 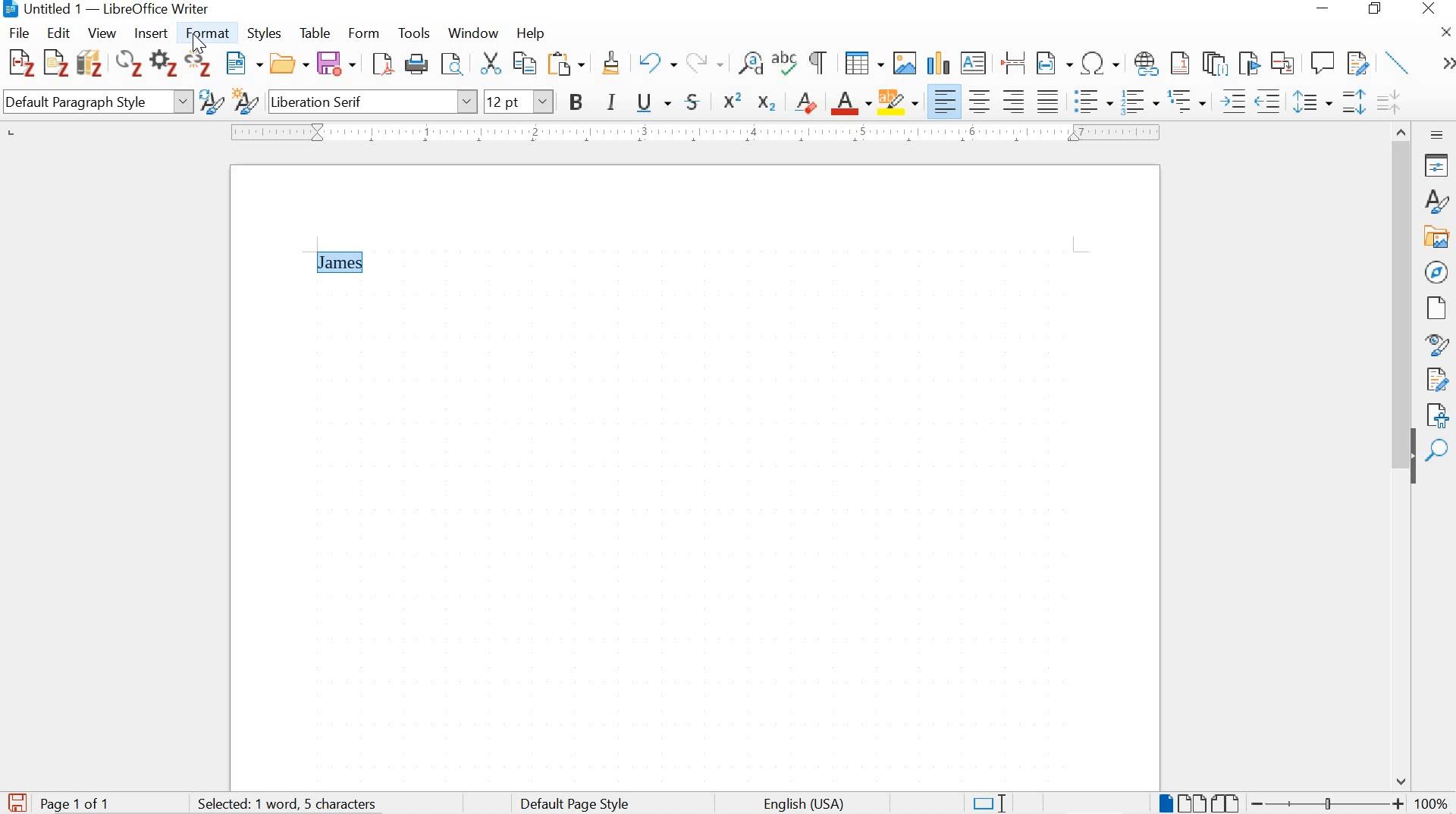 I want to click on Toggle unorder list, so click(x=1091, y=99).